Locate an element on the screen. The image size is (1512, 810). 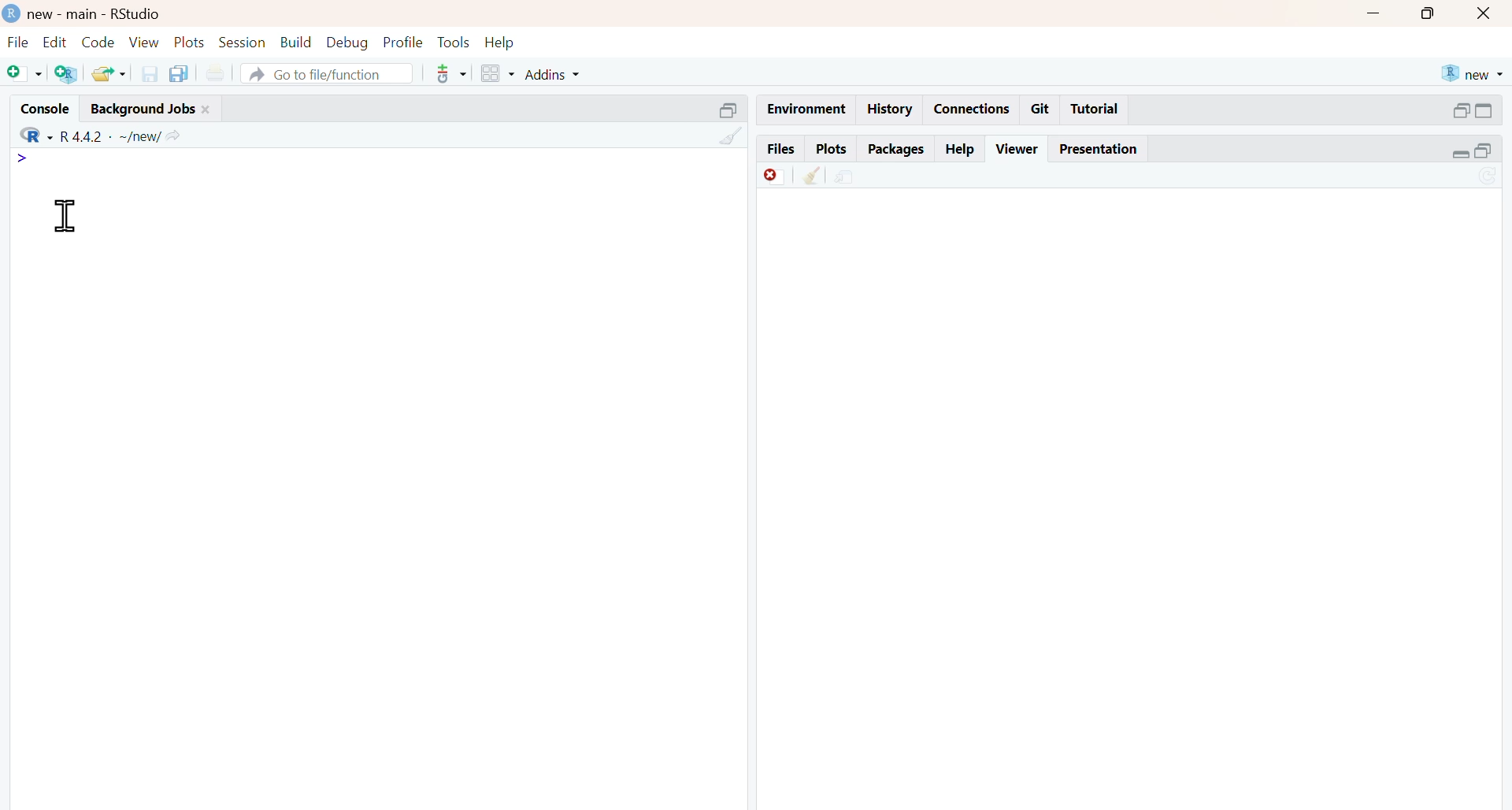
edit is located at coordinates (55, 43).